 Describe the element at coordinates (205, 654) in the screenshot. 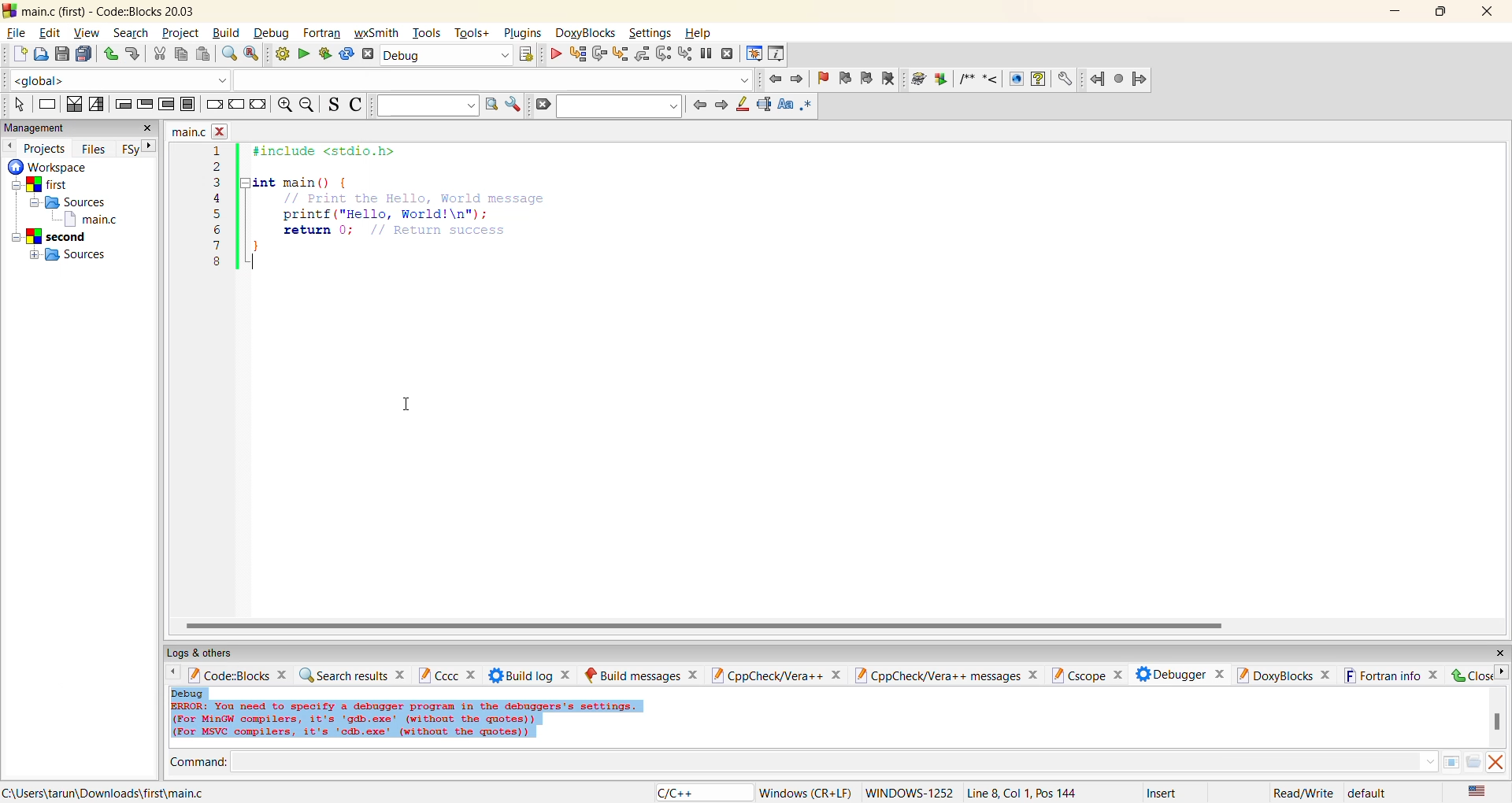

I see `logs and others` at that location.